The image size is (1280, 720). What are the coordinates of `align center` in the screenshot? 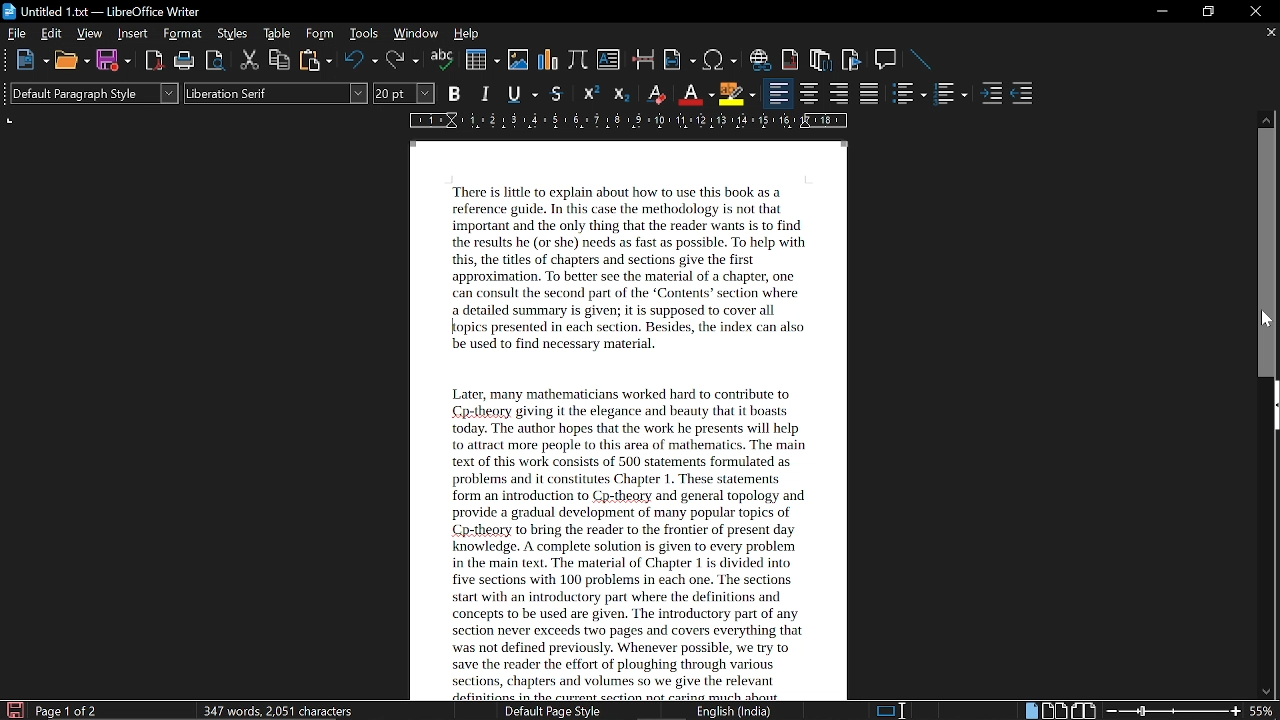 It's located at (807, 95).